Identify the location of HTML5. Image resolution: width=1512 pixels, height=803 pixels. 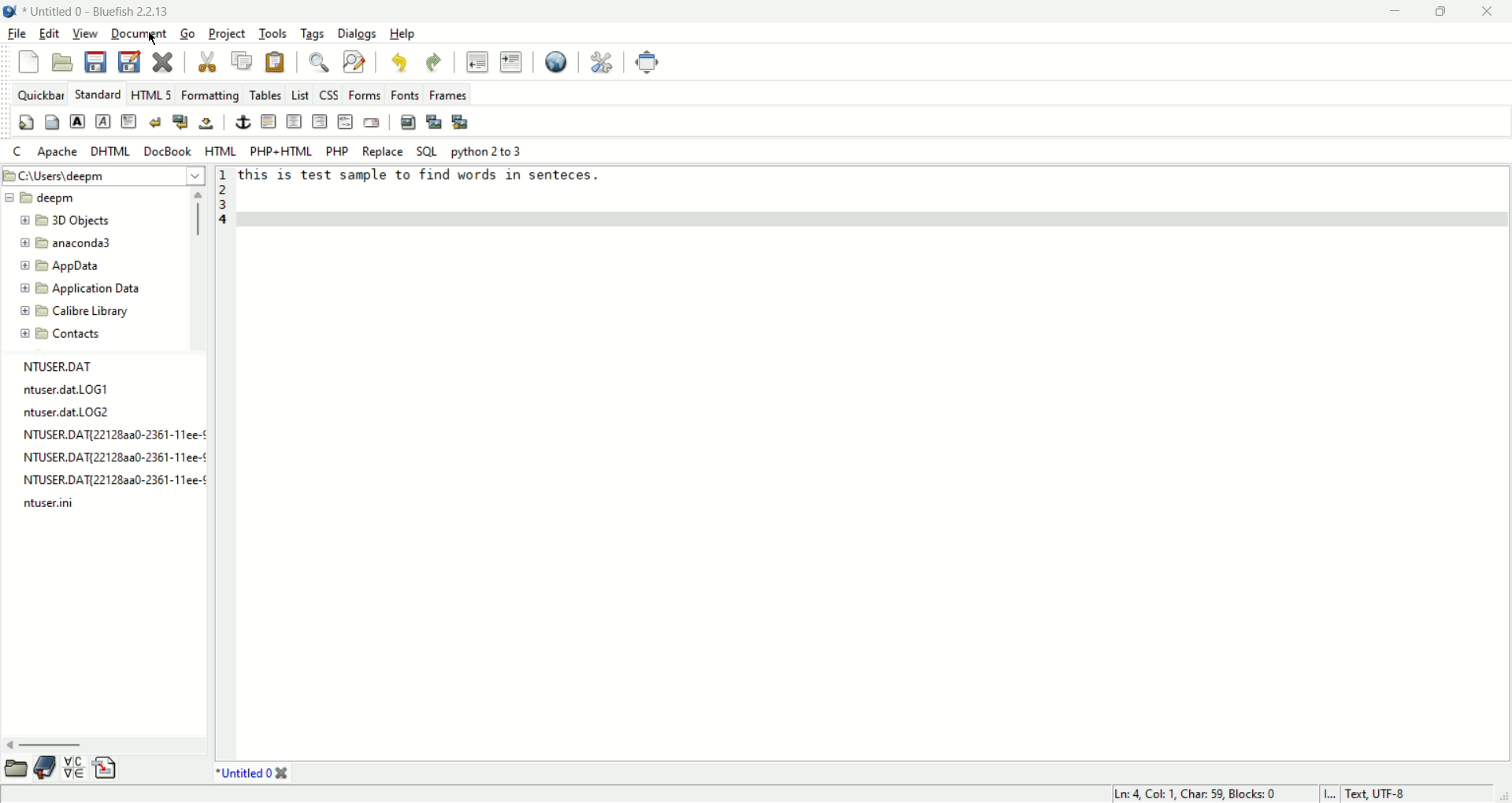
(149, 93).